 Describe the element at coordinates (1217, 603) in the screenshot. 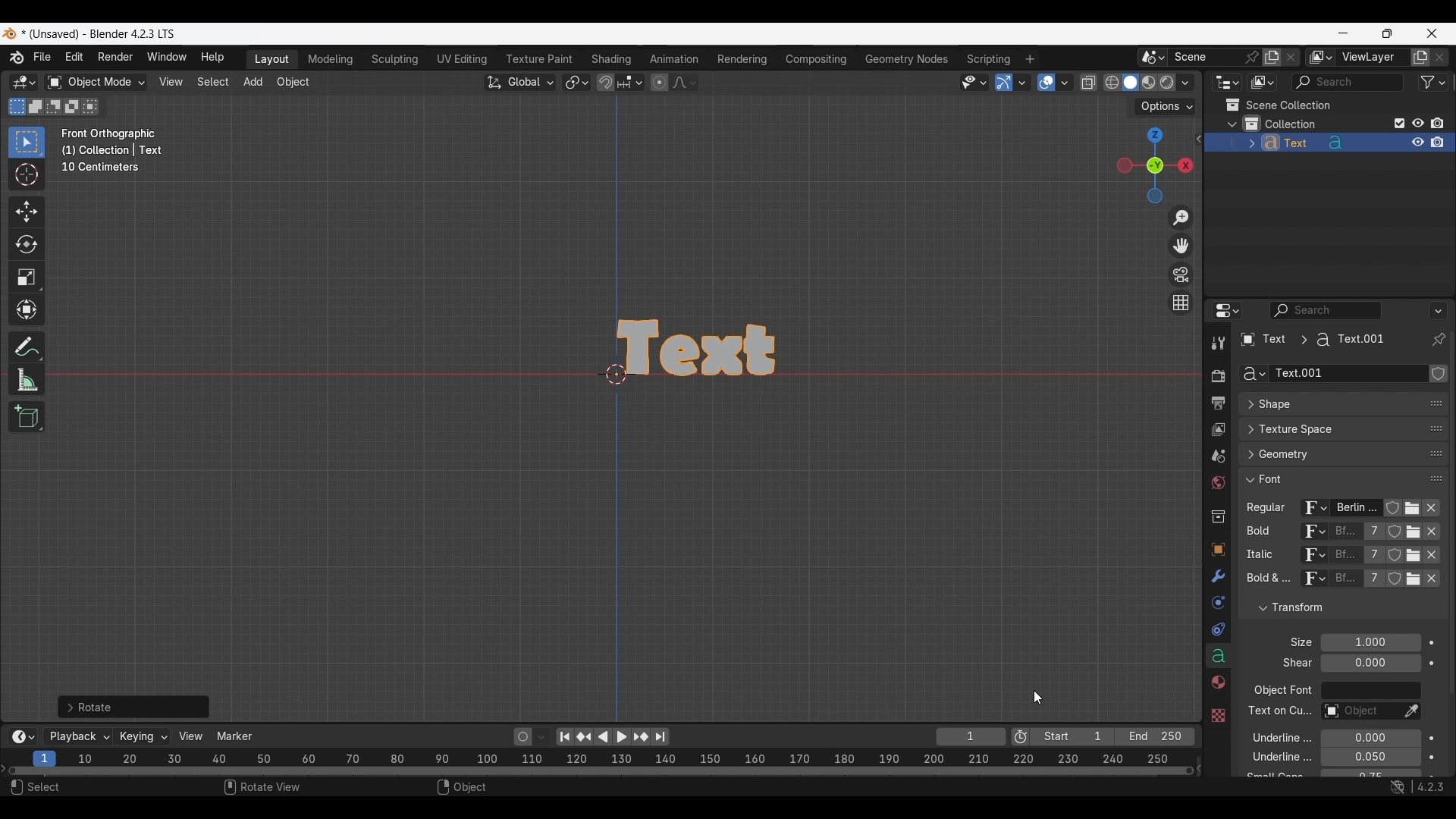

I see `Physics` at that location.